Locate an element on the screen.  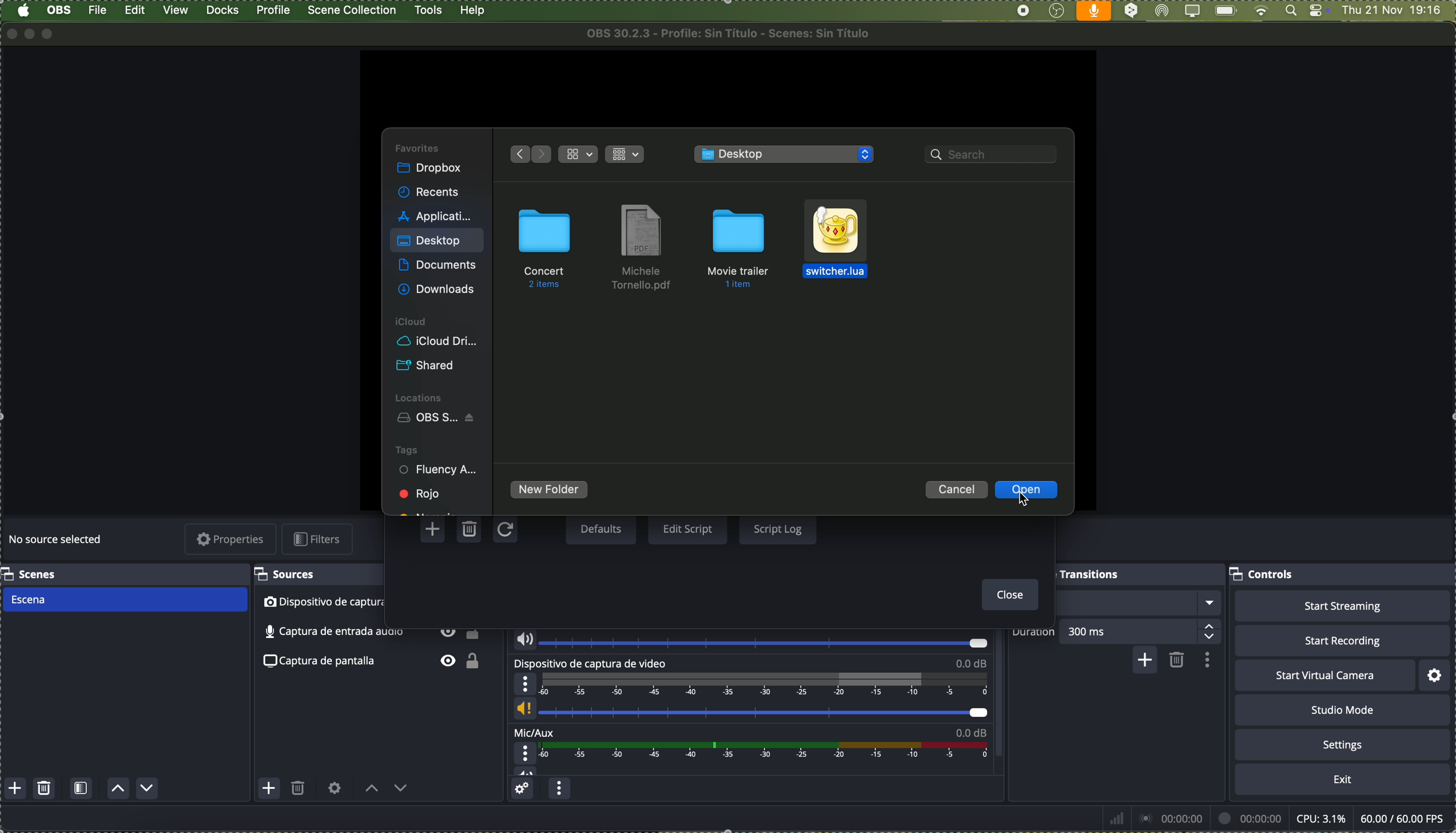
favorites is located at coordinates (419, 147).